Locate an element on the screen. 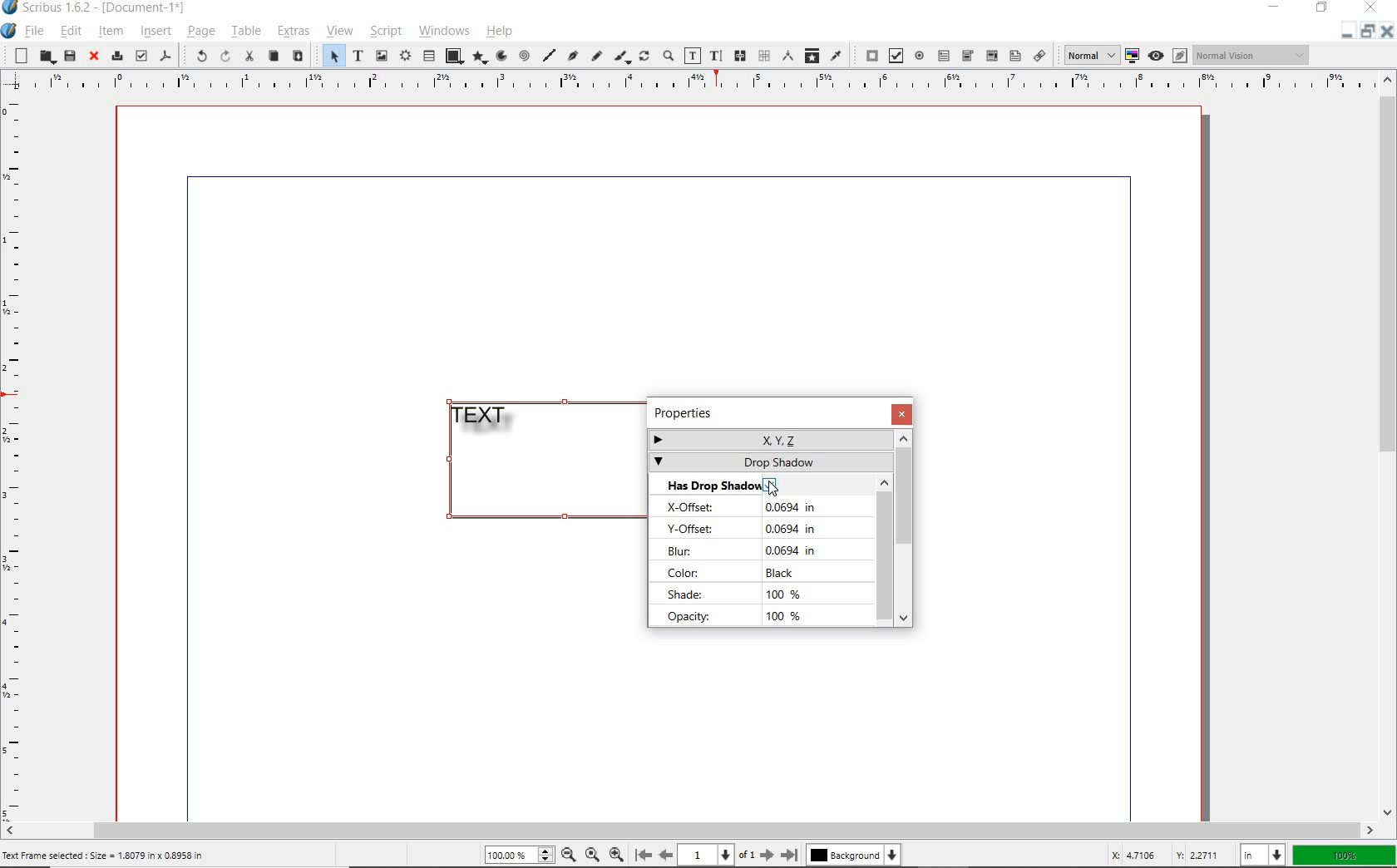  preflight verifier is located at coordinates (141, 55).